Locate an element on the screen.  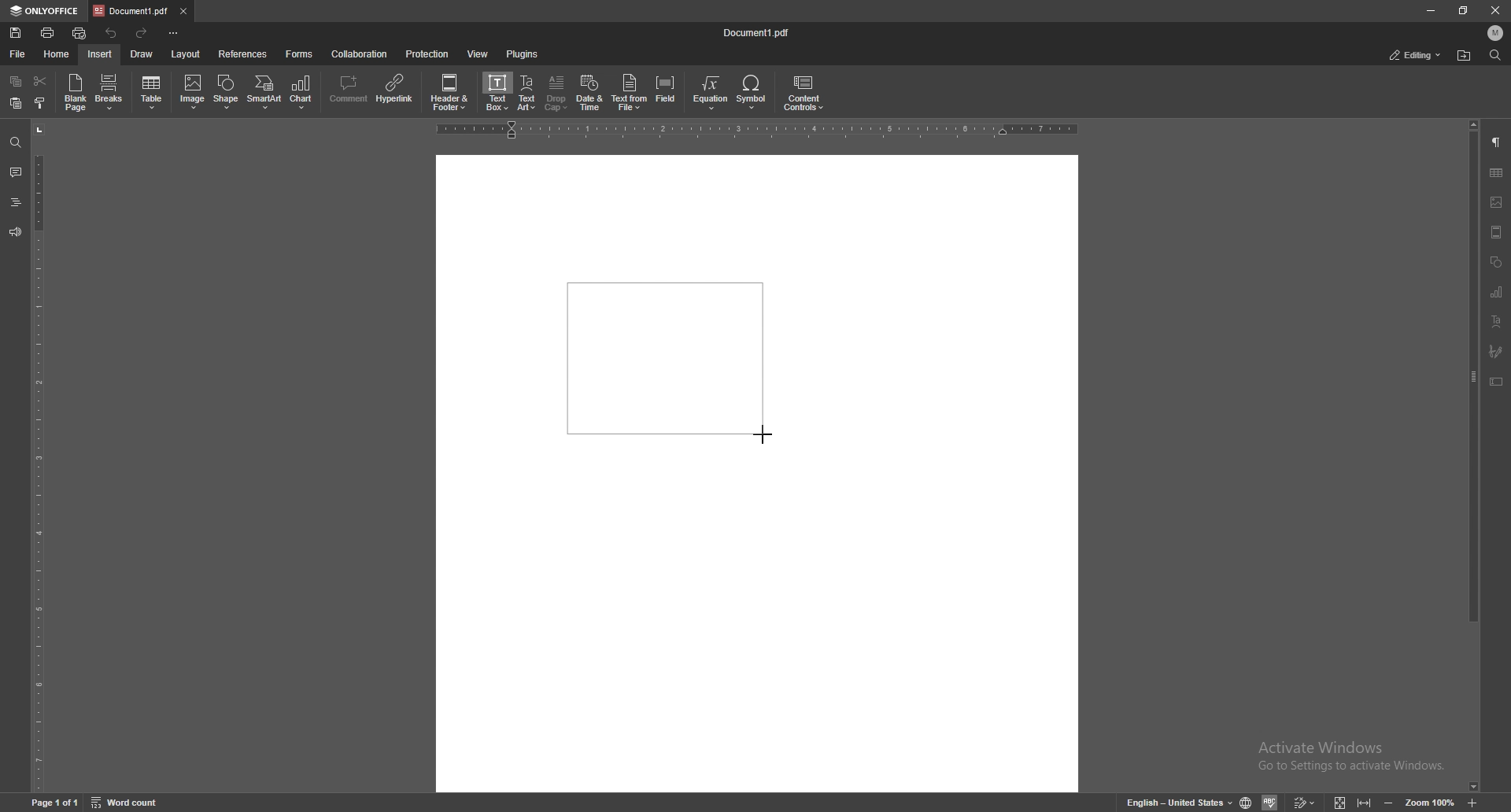
protection is located at coordinates (427, 53).